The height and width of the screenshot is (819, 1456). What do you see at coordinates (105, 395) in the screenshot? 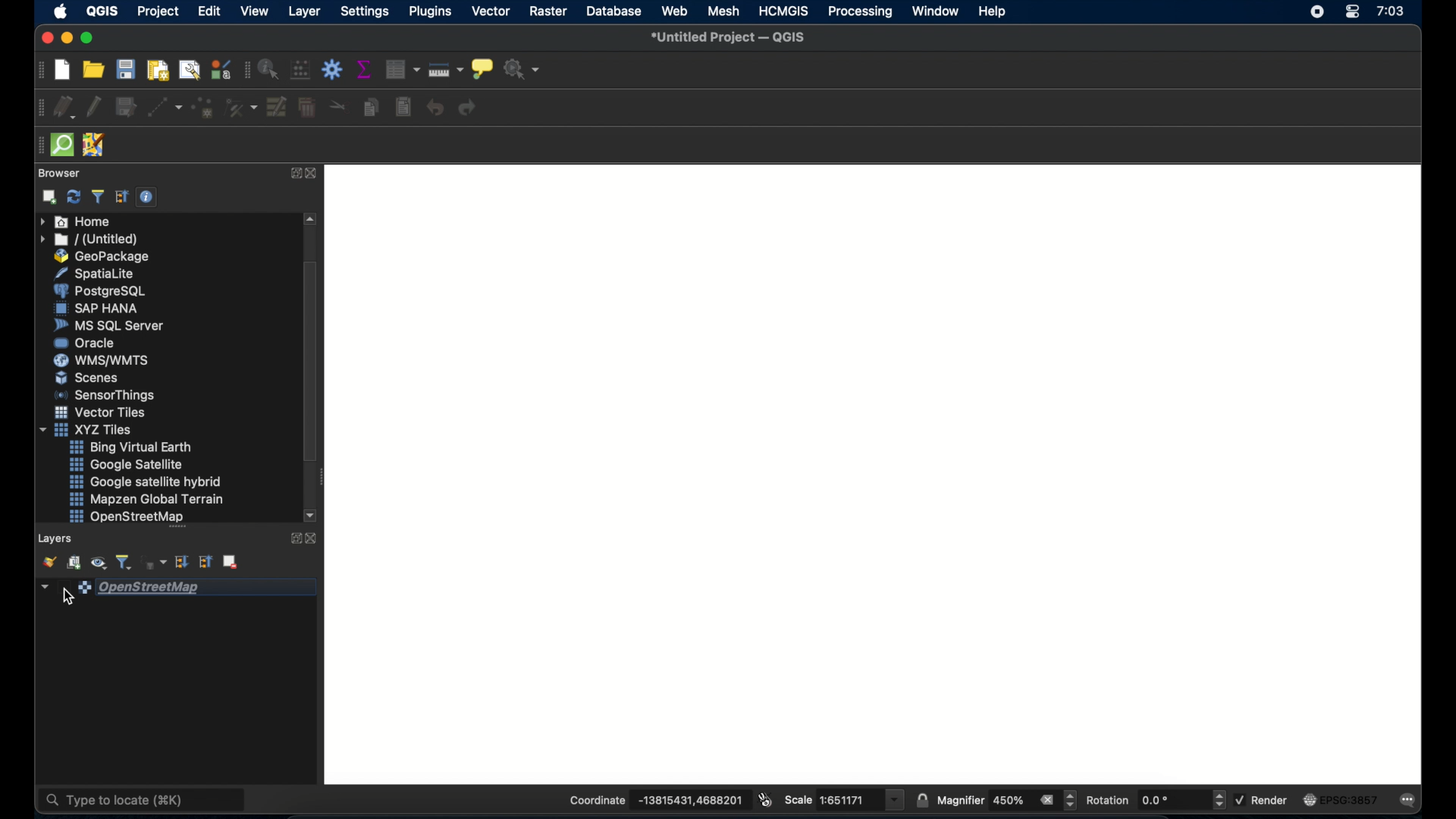
I see `sensor things` at bounding box center [105, 395].